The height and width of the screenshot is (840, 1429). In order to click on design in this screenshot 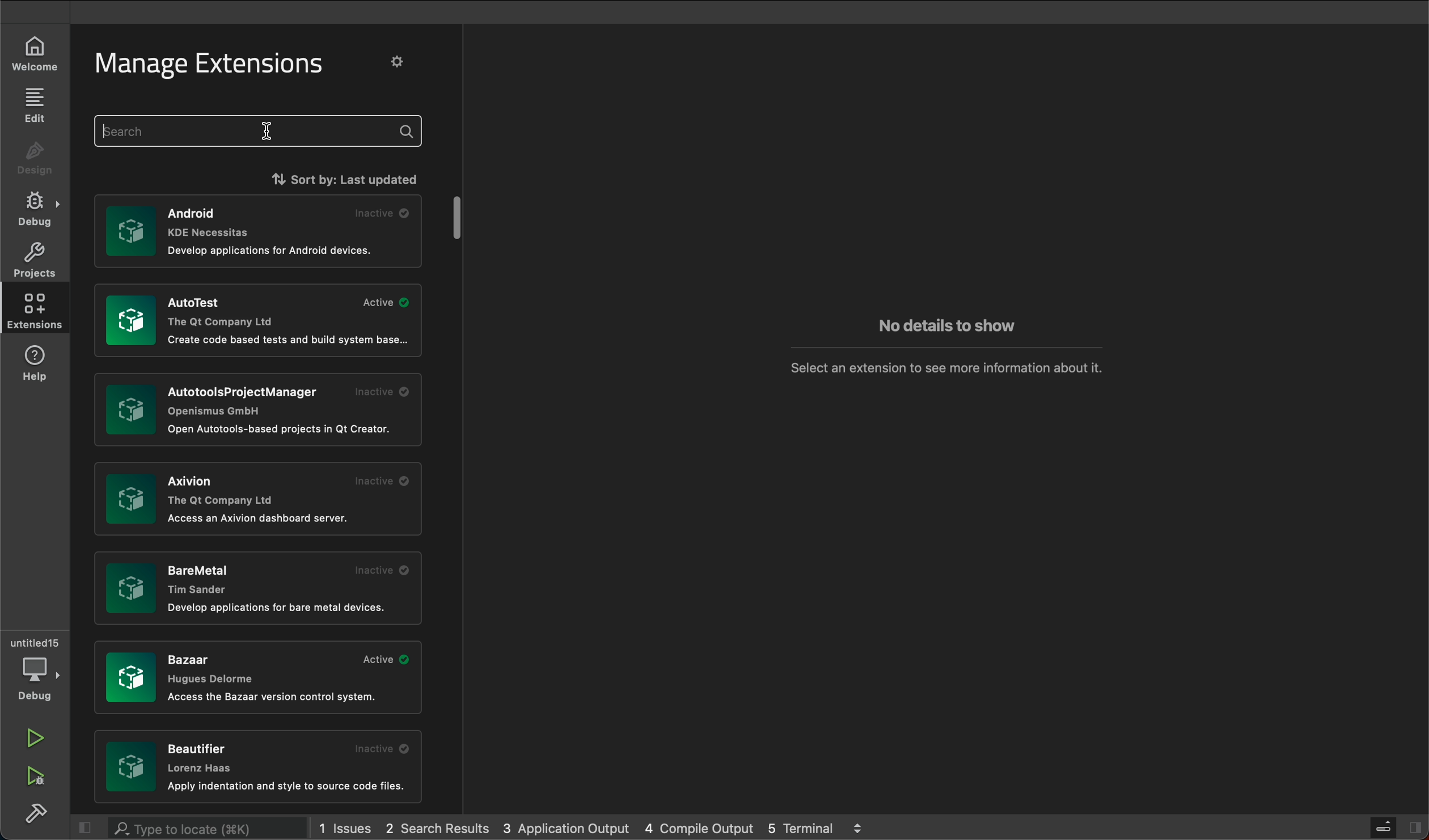, I will do `click(34, 161)`.